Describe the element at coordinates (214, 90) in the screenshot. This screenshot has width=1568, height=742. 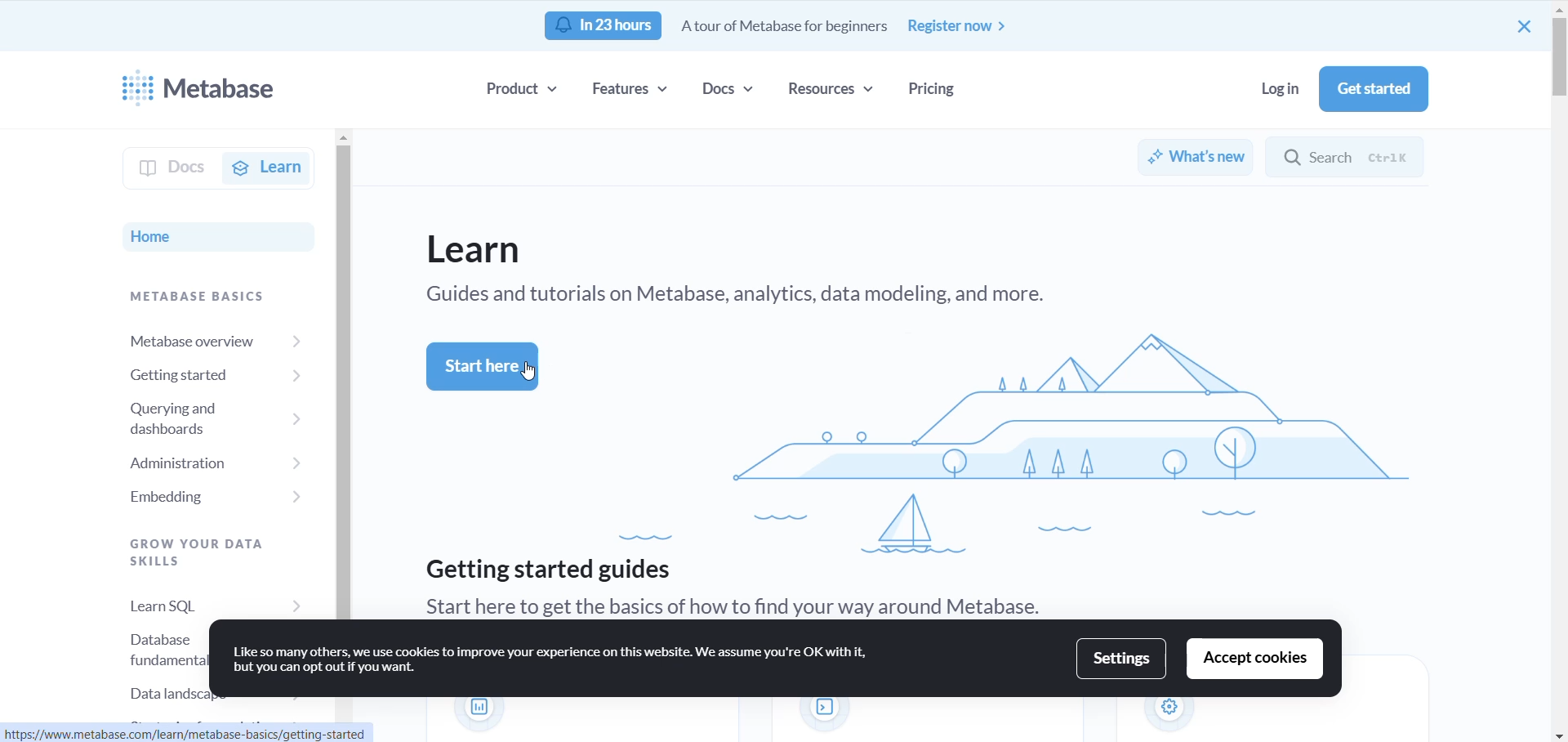
I see `logo and name` at that location.